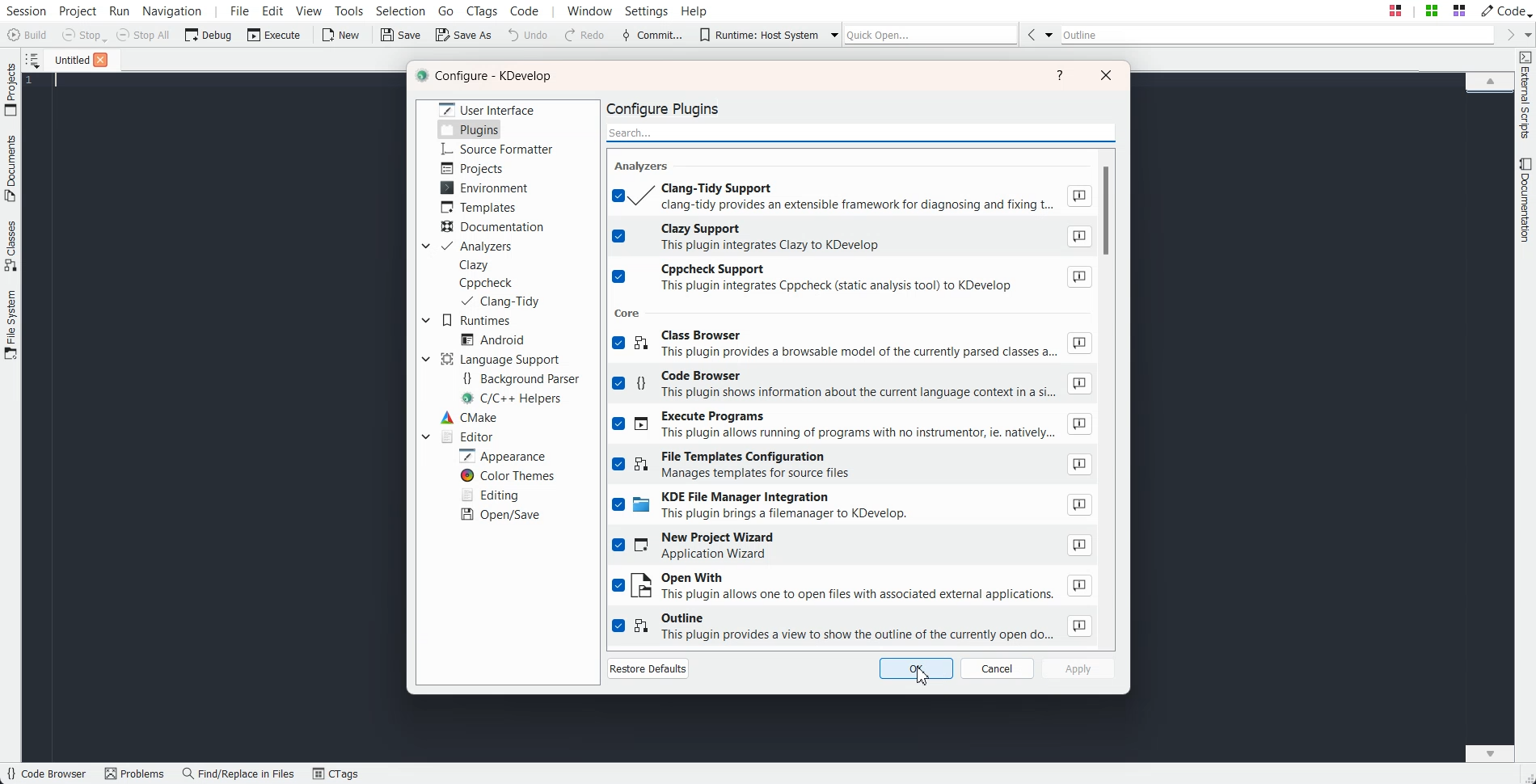 The height and width of the screenshot is (784, 1536). I want to click on Plugin Selected, so click(470, 129).